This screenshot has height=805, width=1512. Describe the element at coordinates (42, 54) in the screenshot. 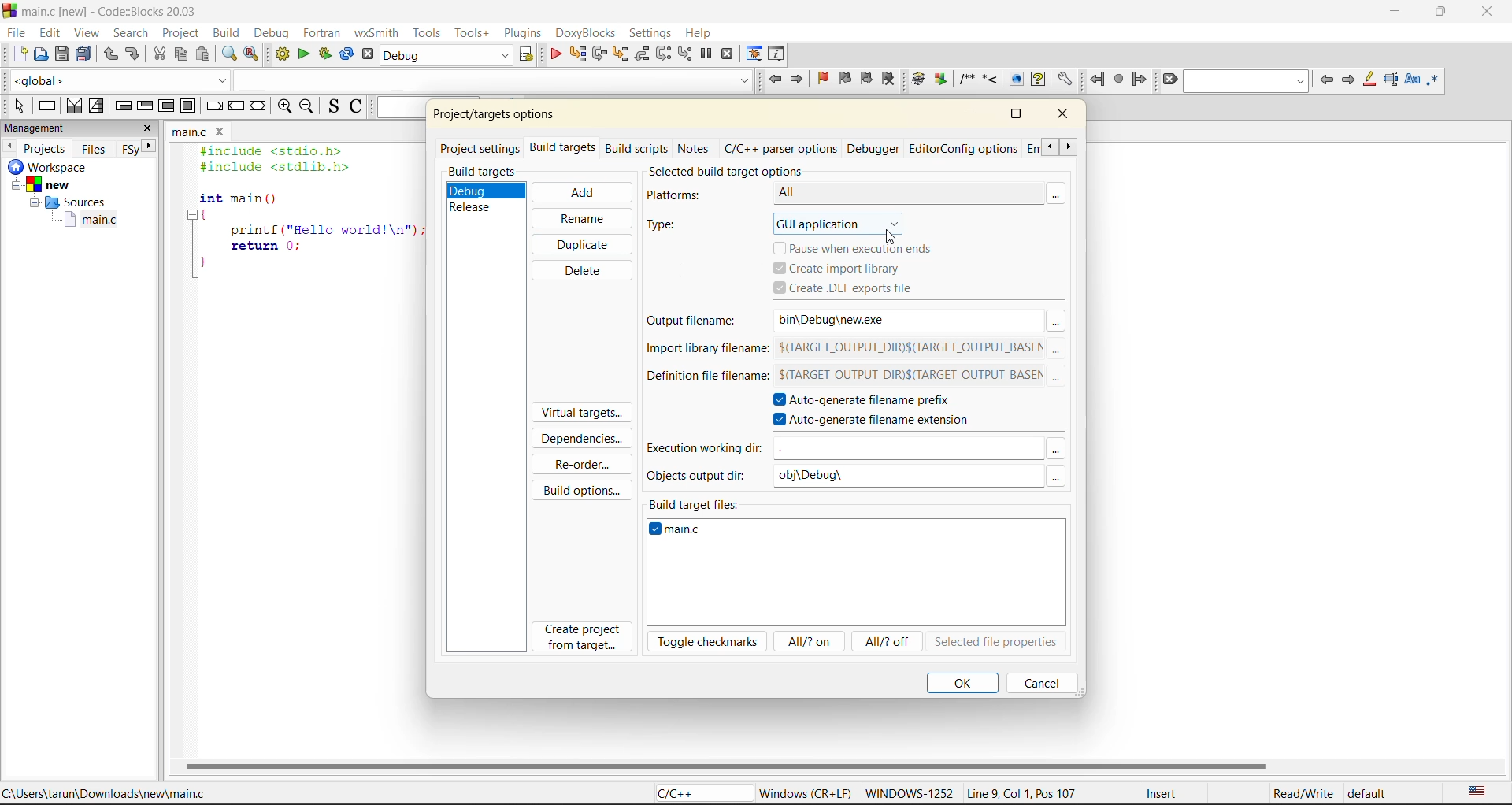

I see `open` at that location.